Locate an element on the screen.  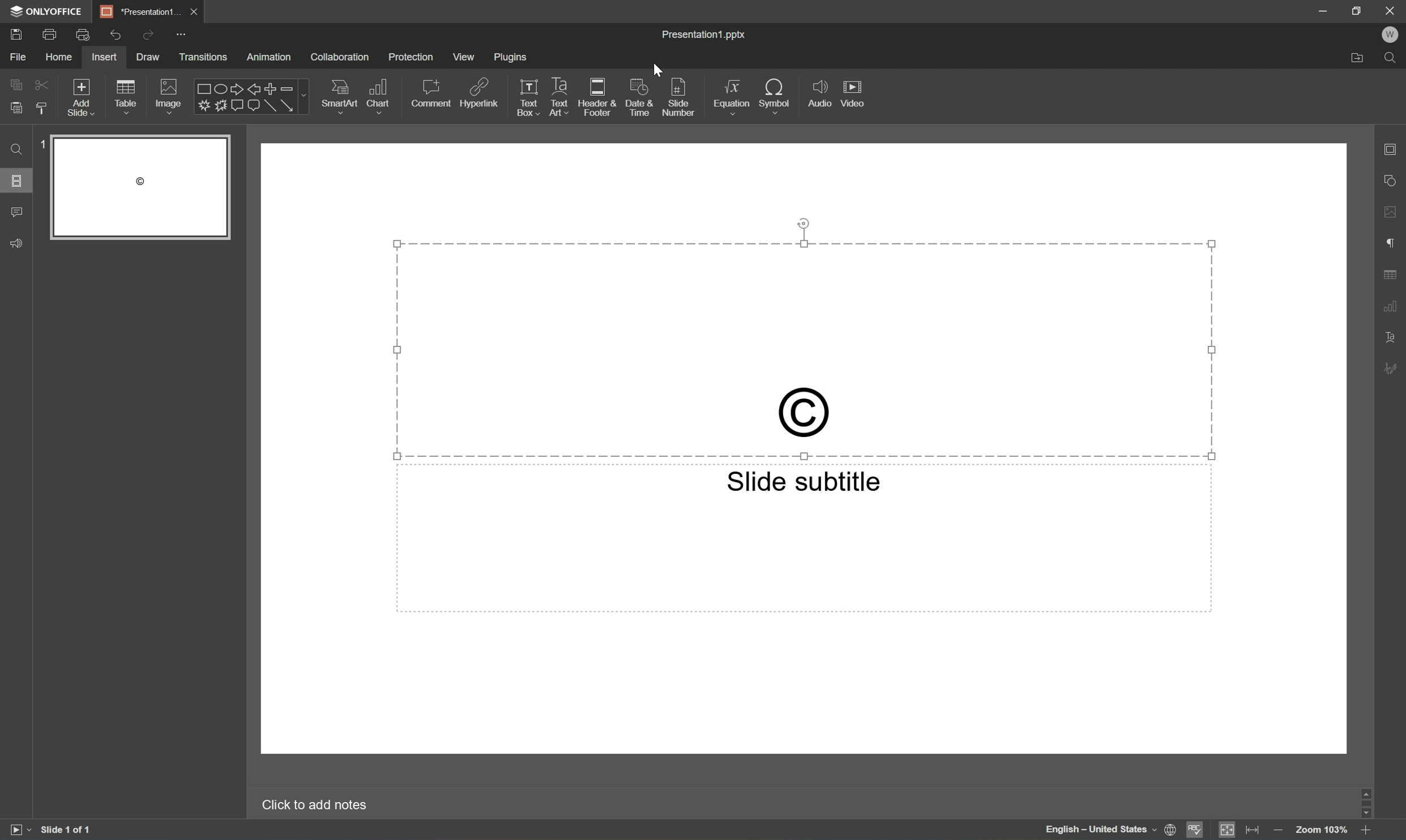
View is located at coordinates (464, 57).